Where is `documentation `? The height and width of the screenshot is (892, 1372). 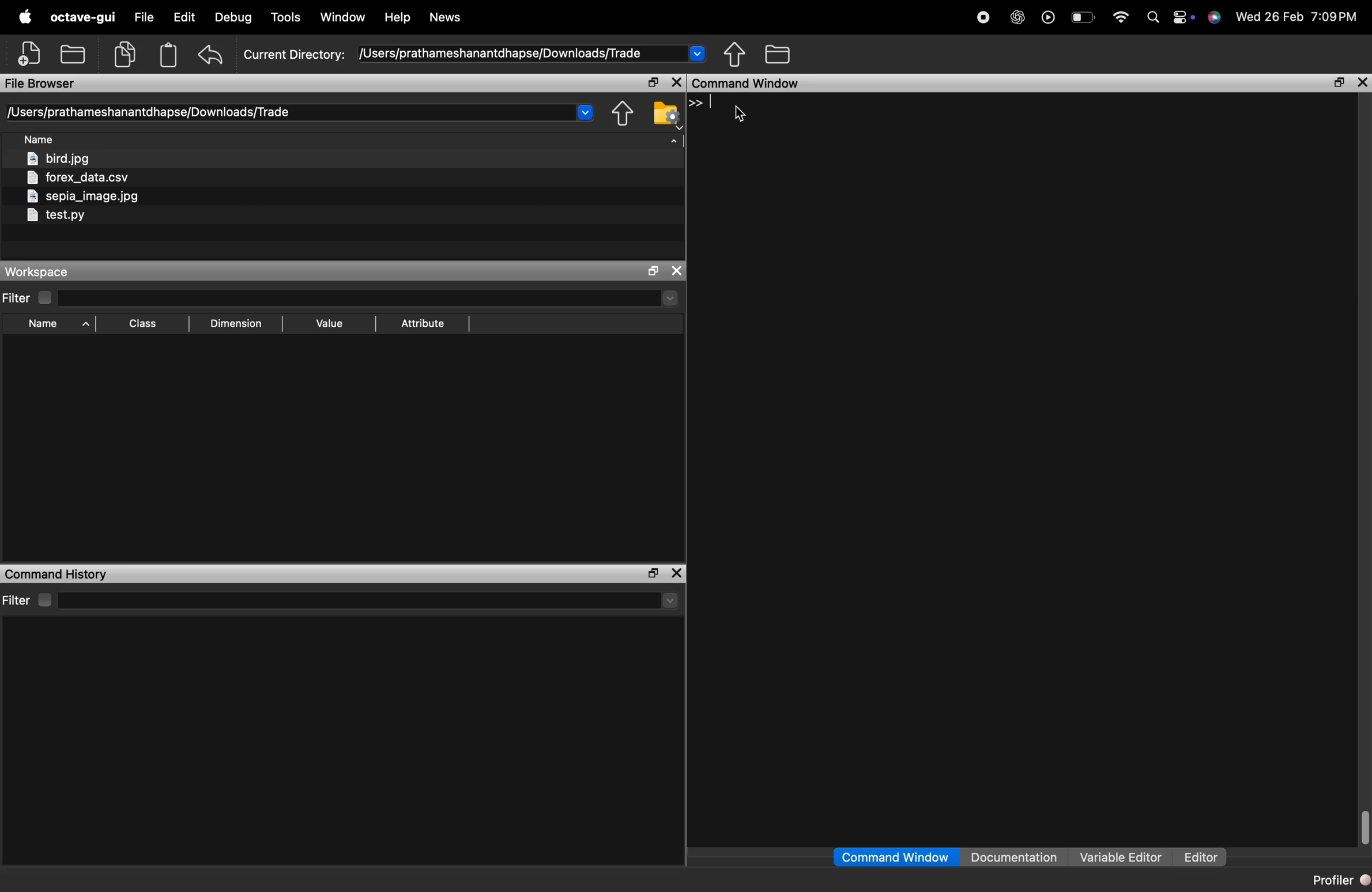 documentation  is located at coordinates (1015, 856).